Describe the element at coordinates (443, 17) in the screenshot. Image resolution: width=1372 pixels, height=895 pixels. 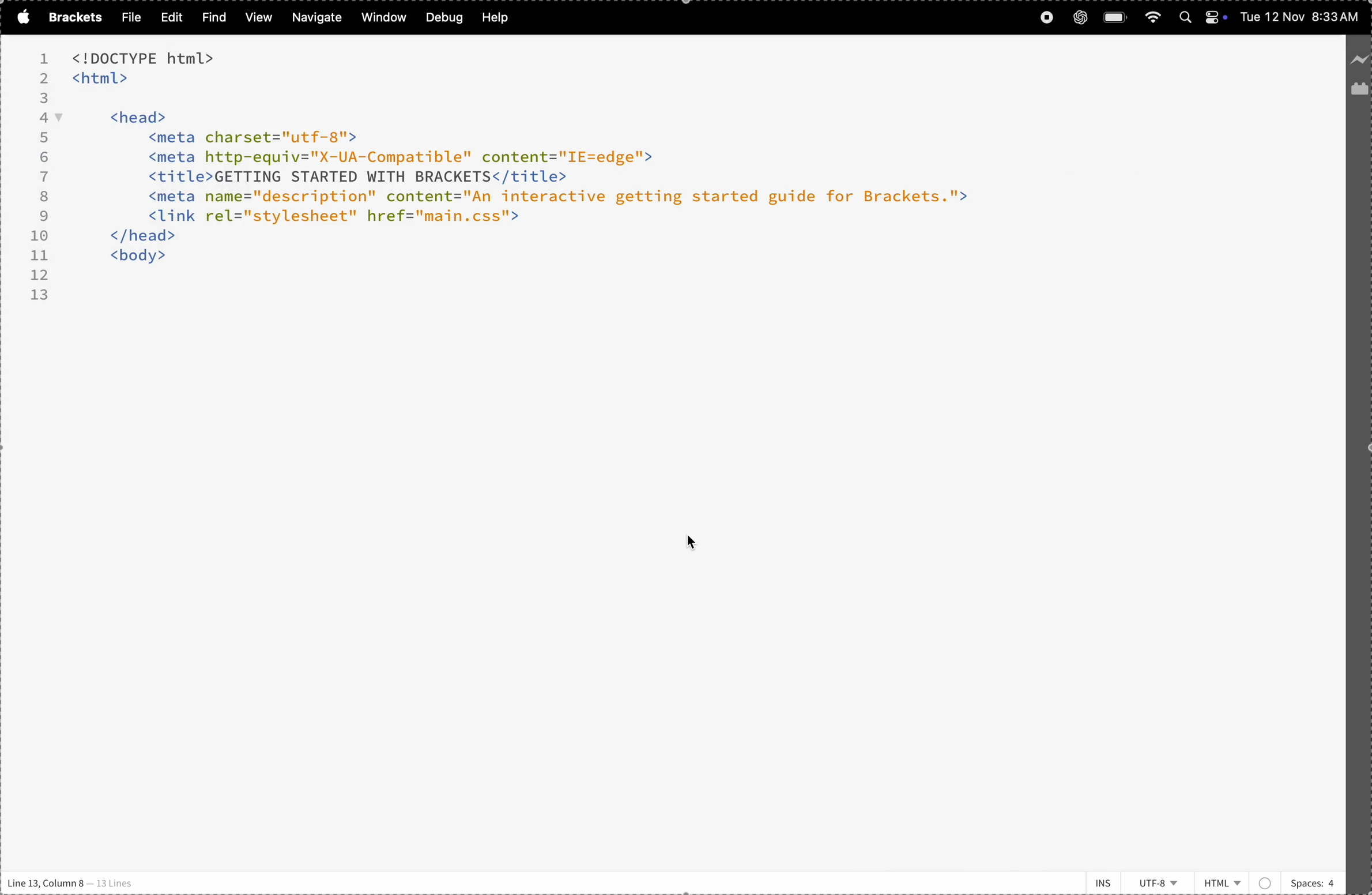
I see `debug` at that location.